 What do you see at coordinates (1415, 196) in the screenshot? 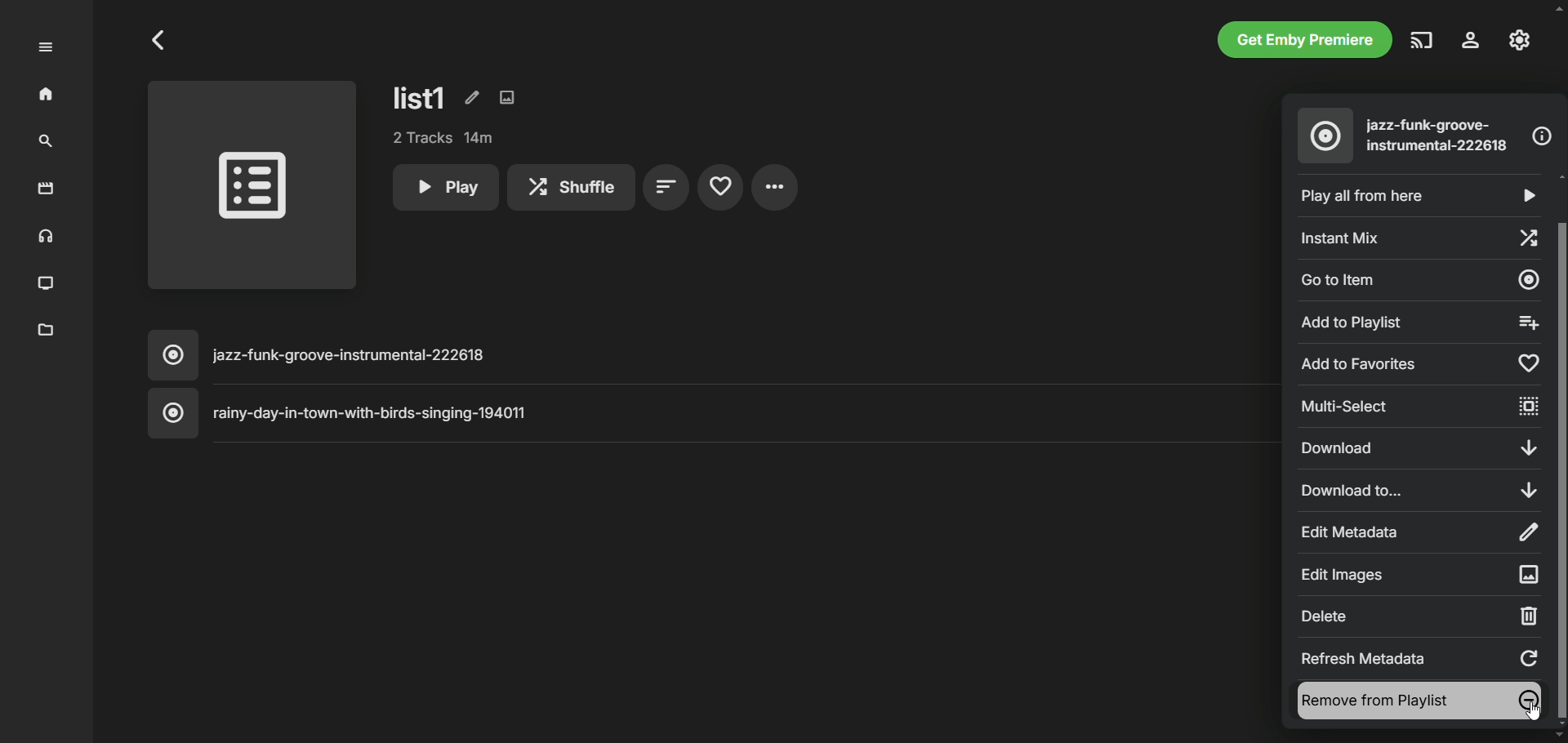
I see `play all from here` at bounding box center [1415, 196].